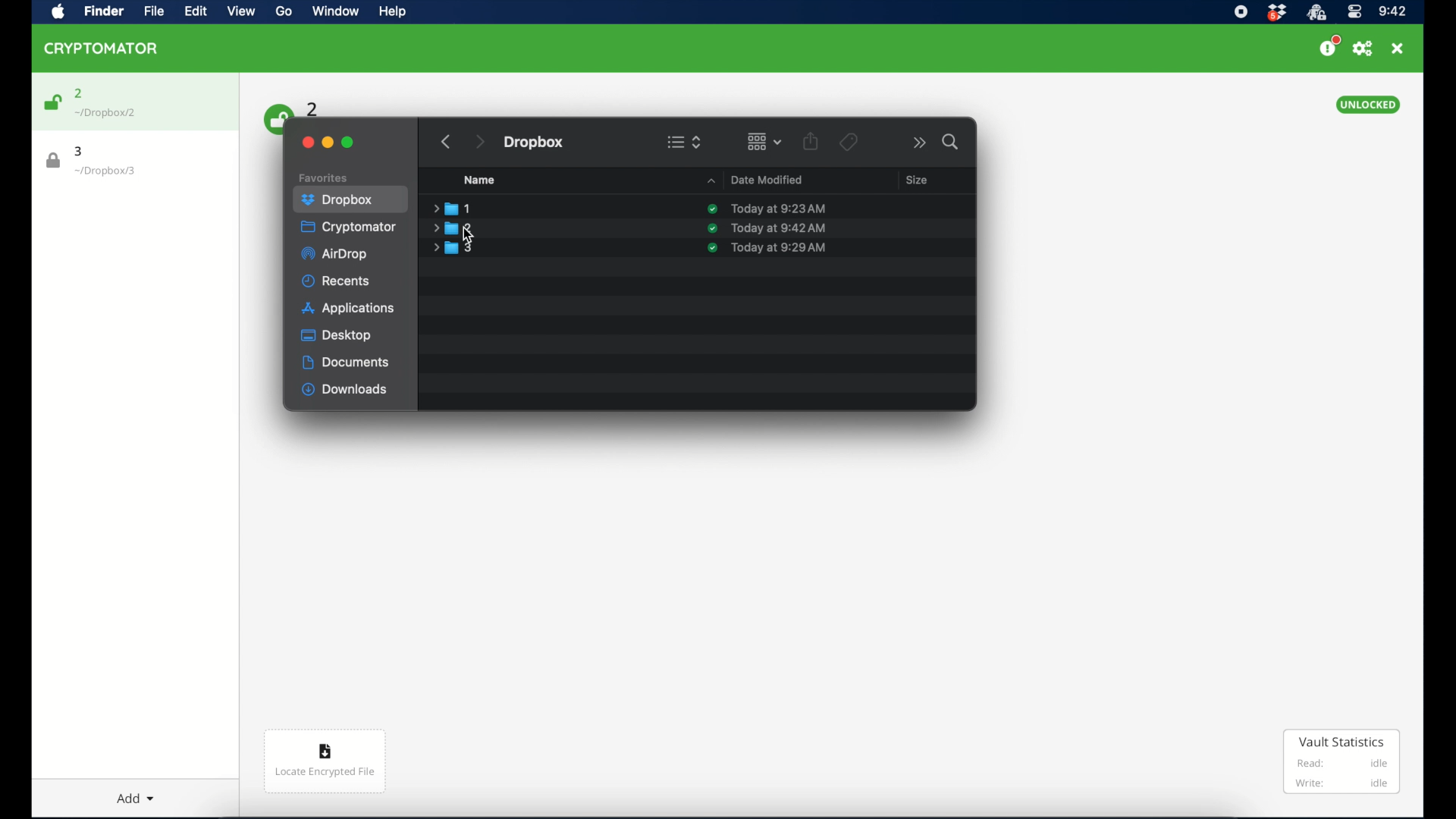 This screenshot has width=1456, height=819. What do you see at coordinates (348, 227) in the screenshot?
I see `cryptomator` at bounding box center [348, 227].